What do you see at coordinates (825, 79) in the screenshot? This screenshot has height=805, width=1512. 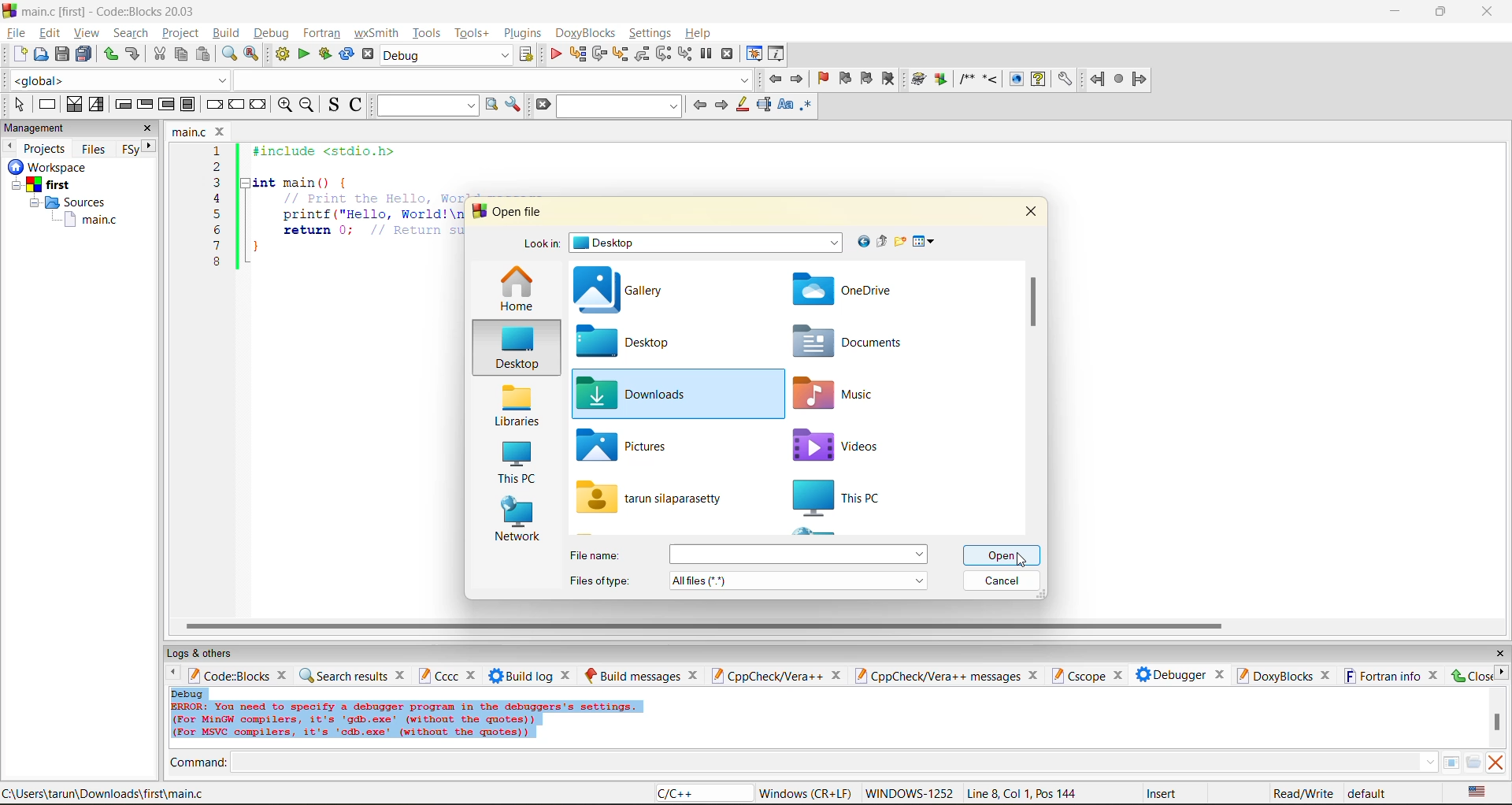 I see `toggle bookmark` at bounding box center [825, 79].